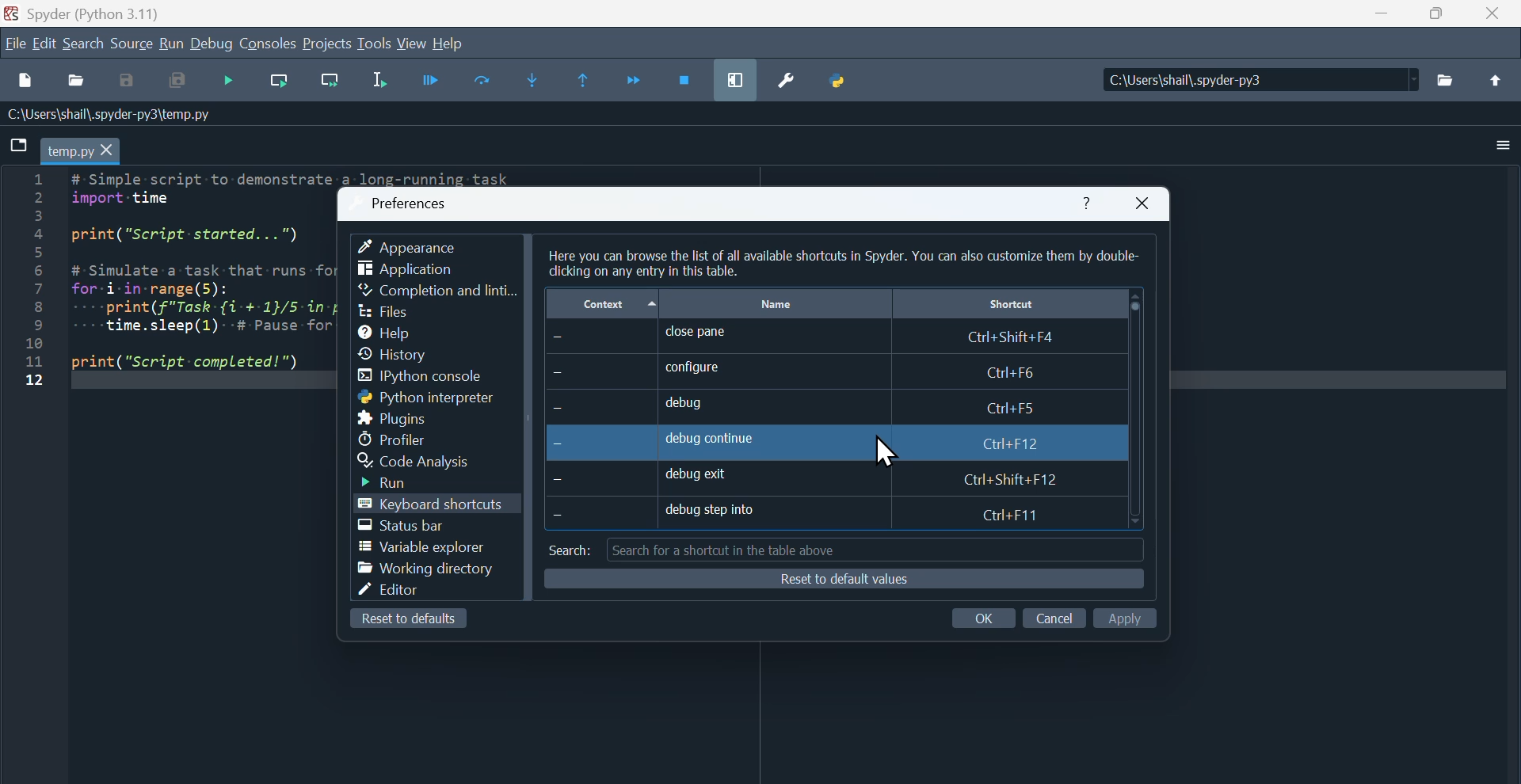  I want to click on Debug, so click(211, 43).